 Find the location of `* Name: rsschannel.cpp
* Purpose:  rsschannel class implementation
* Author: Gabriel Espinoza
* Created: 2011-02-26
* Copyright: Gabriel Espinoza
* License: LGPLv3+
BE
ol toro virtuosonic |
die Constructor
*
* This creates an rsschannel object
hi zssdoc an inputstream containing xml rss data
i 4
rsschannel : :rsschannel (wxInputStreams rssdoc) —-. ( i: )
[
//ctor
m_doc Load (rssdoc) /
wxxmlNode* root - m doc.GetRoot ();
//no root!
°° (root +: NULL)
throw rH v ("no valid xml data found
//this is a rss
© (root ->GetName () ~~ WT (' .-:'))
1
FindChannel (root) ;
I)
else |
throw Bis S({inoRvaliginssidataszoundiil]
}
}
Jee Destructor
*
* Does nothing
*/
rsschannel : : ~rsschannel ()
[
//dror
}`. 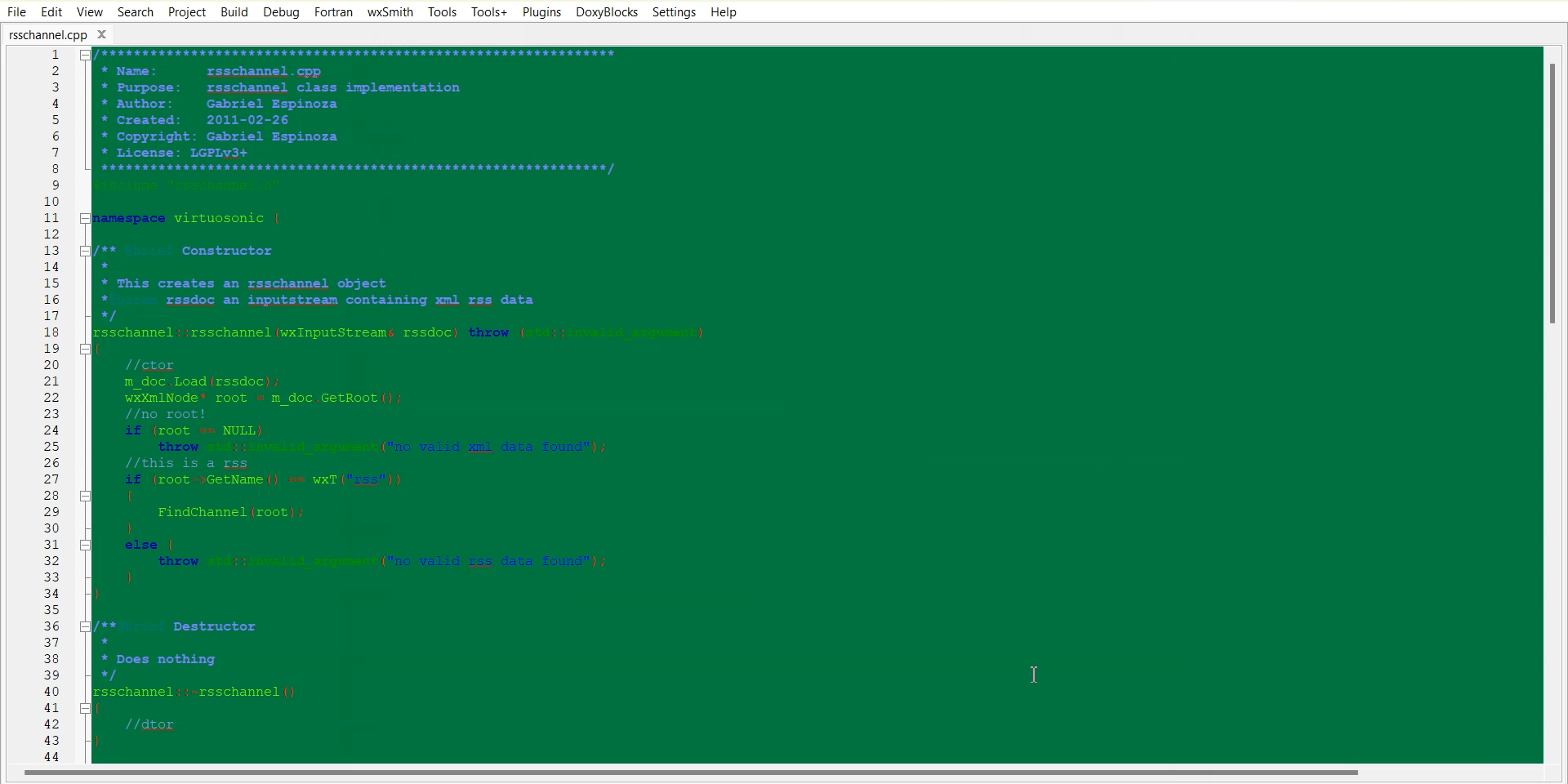

* Name: rsschannel.cpp
* Purpose:  rsschannel class implementation
* Author: Gabriel Espinoza
* Created: 2011-02-26
* Copyright: Gabriel Espinoza
* License: LGPLv3+
BE
ol toro virtuosonic |
die Constructor
*
* This creates an rsschannel object
hi zssdoc an inputstream containing xml rss data
i 4
rsschannel : :rsschannel (wxInputStreams rssdoc) —-. ( i: )
[
//ctor
m_doc Load (rssdoc) /
wxxmlNode* root - m doc.GetRoot ();
//no root!
°° (root +: NULL)
throw rH v ("no valid xml data found
//this is a rss
© (root ->GetName () ~~ WT (' .-:'))
1
FindChannel (root) ;
I)
else |
throw Bis S({inoRvaliginssidataszoundiil]
}
}
Jee Destructor
*
* Does nothing
*/
rsschannel : : ~rsschannel ()
[
//dror
} is located at coordinates (807, 405).